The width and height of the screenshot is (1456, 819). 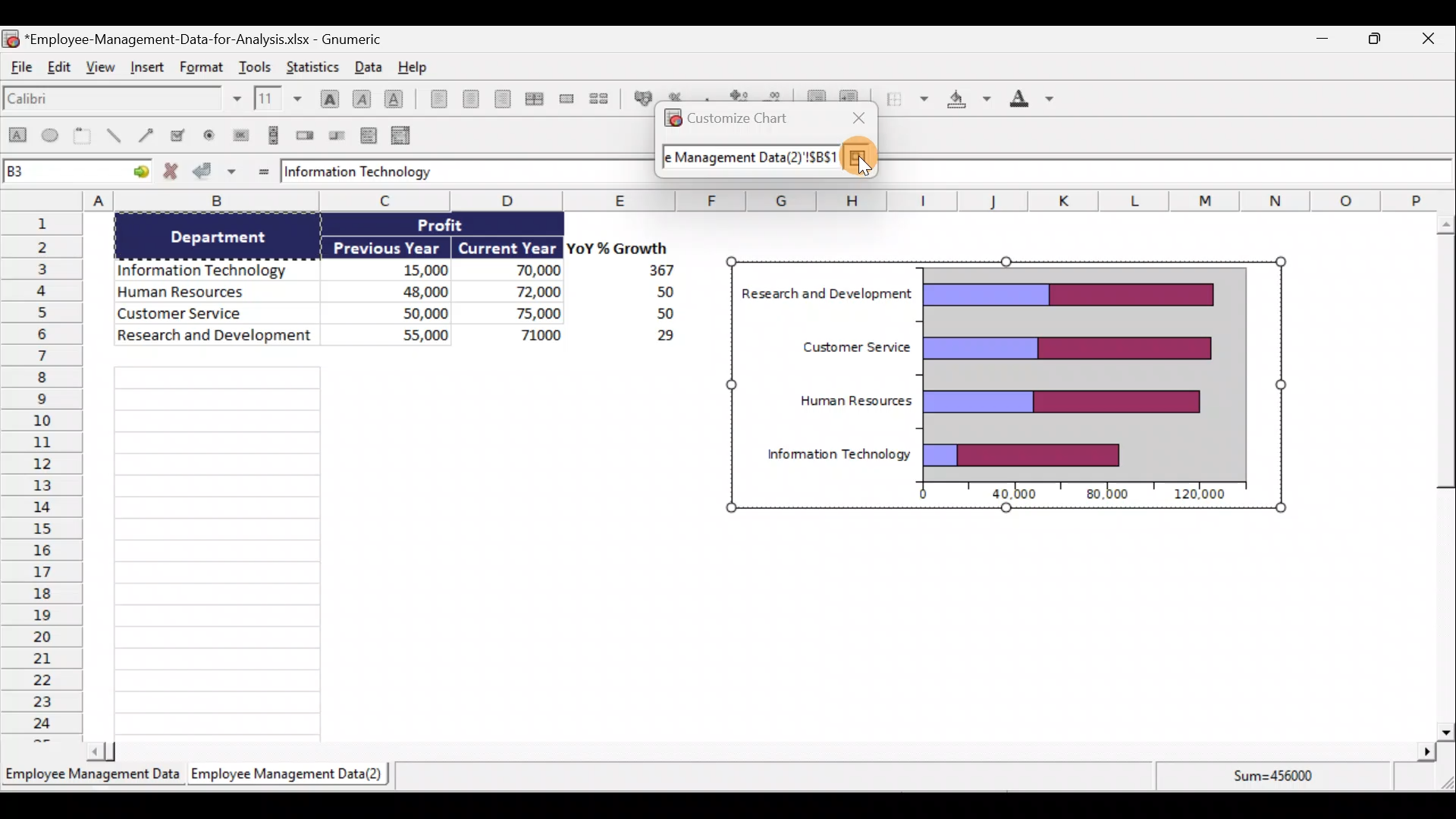 I want to click on 50,000, so click(x=409, y=312).